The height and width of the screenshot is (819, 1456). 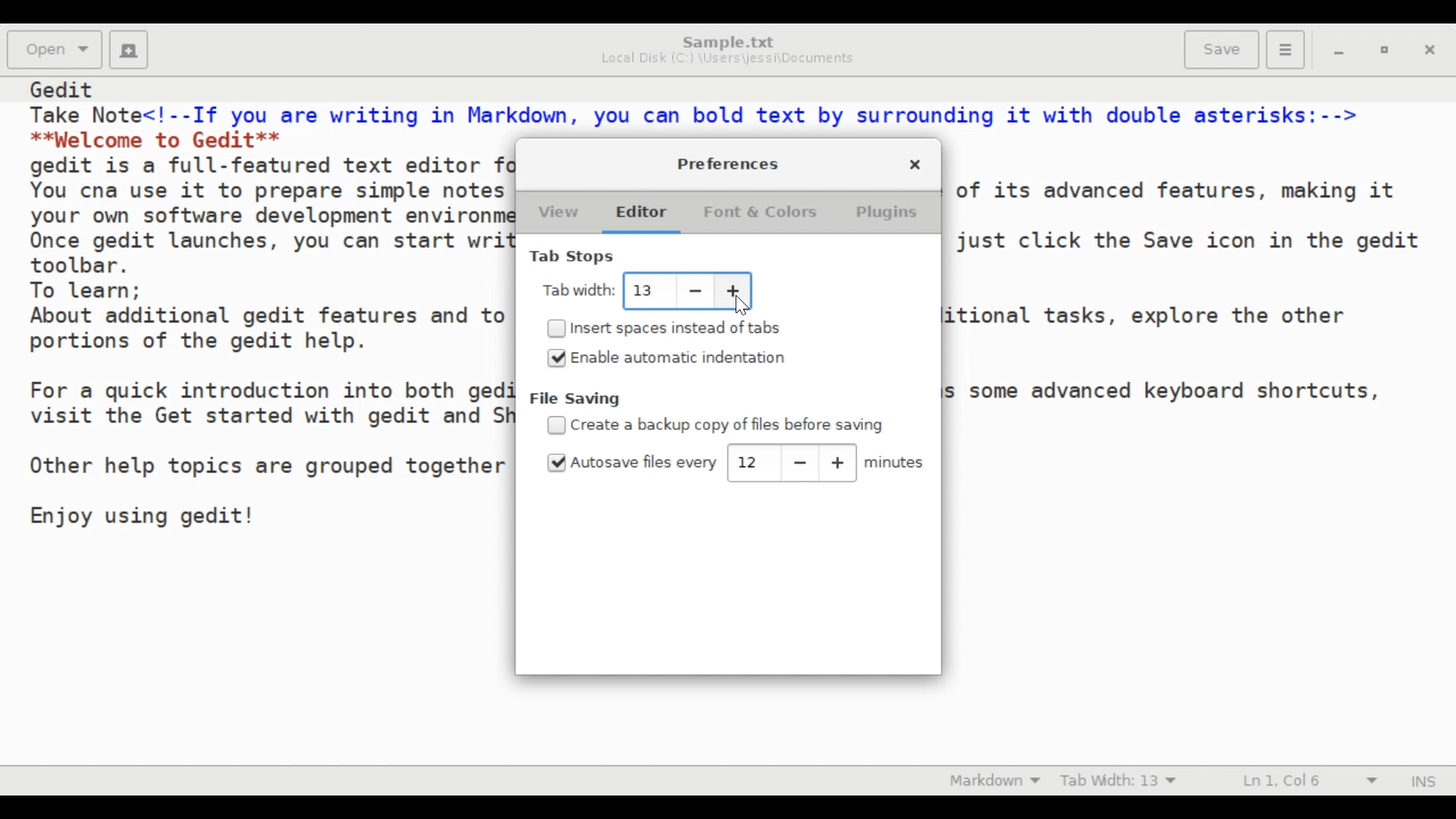 I want to click on Tab Width: 10, so click(x=1126, y=780).